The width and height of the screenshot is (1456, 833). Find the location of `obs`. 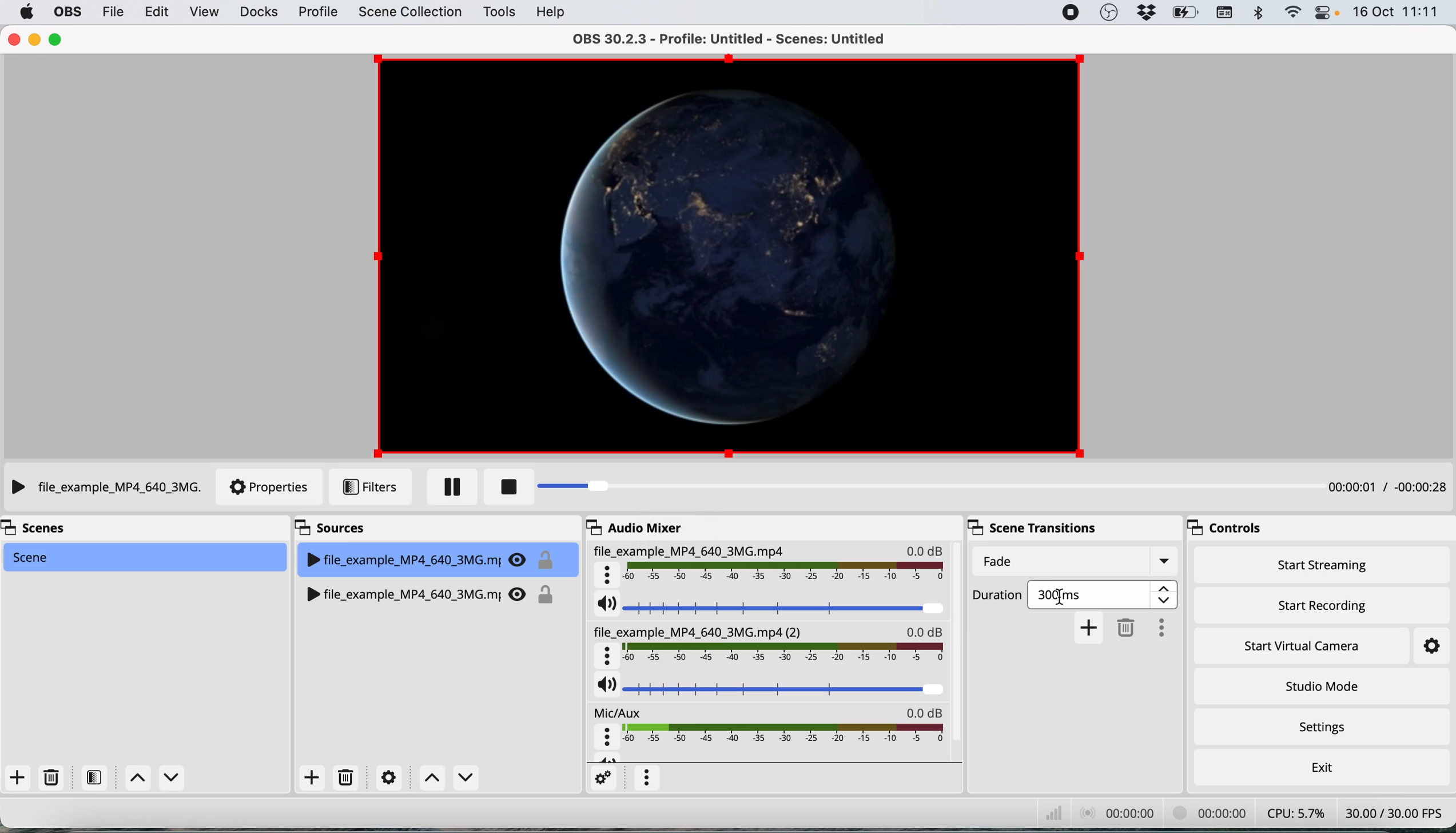

obs is located at coordinates (67, 13).